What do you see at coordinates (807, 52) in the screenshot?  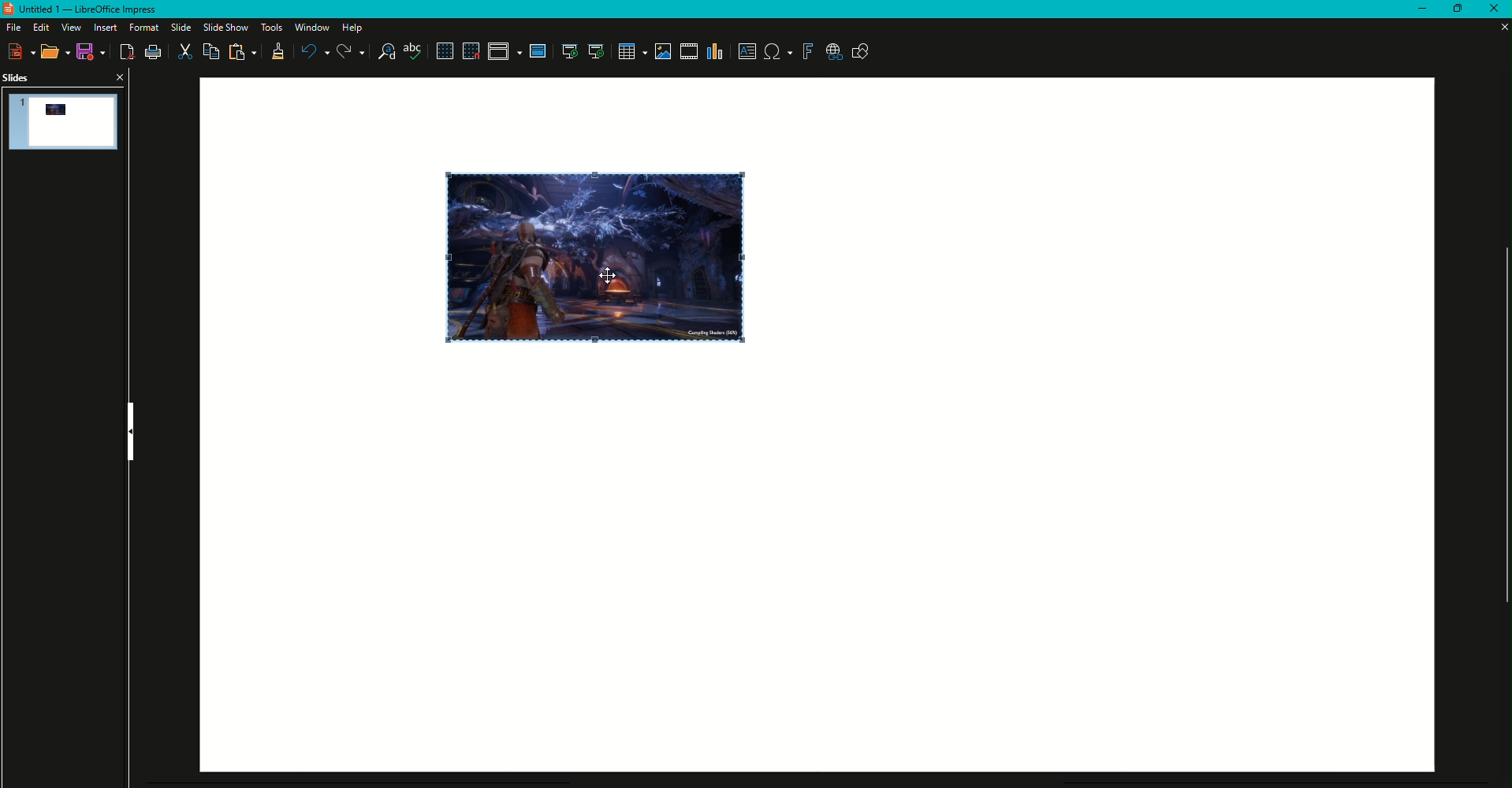 I see `Fontwork` at bounding box center [807, 52].